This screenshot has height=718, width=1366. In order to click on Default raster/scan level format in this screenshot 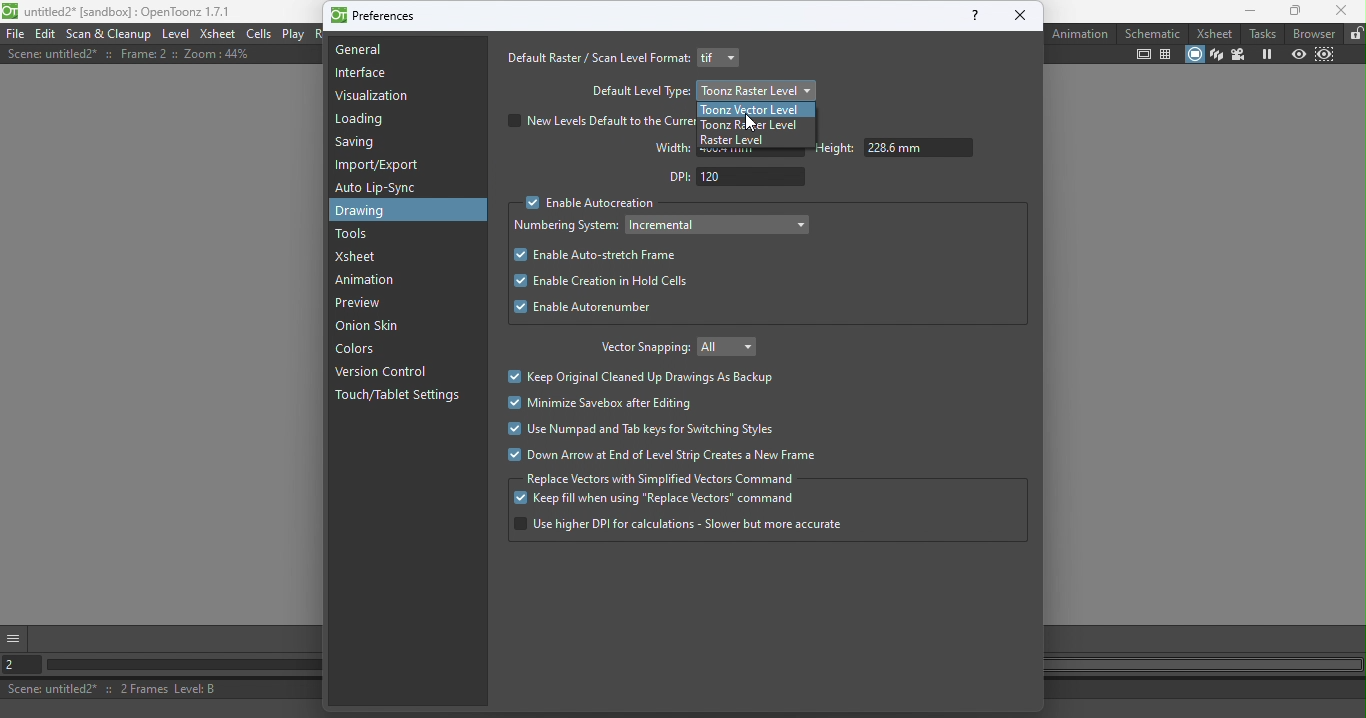, I will do `click(597, 58)`.